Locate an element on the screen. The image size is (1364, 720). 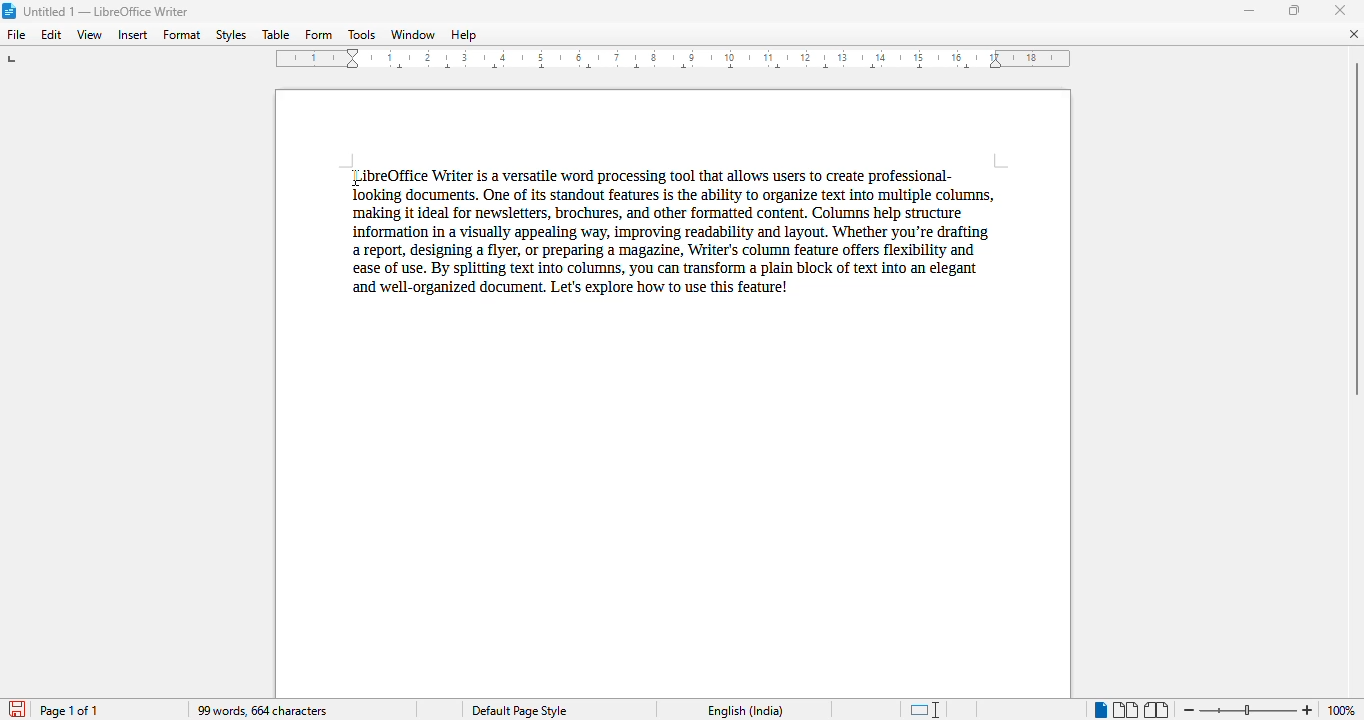
standard selection is located at coordinates (926, 709).